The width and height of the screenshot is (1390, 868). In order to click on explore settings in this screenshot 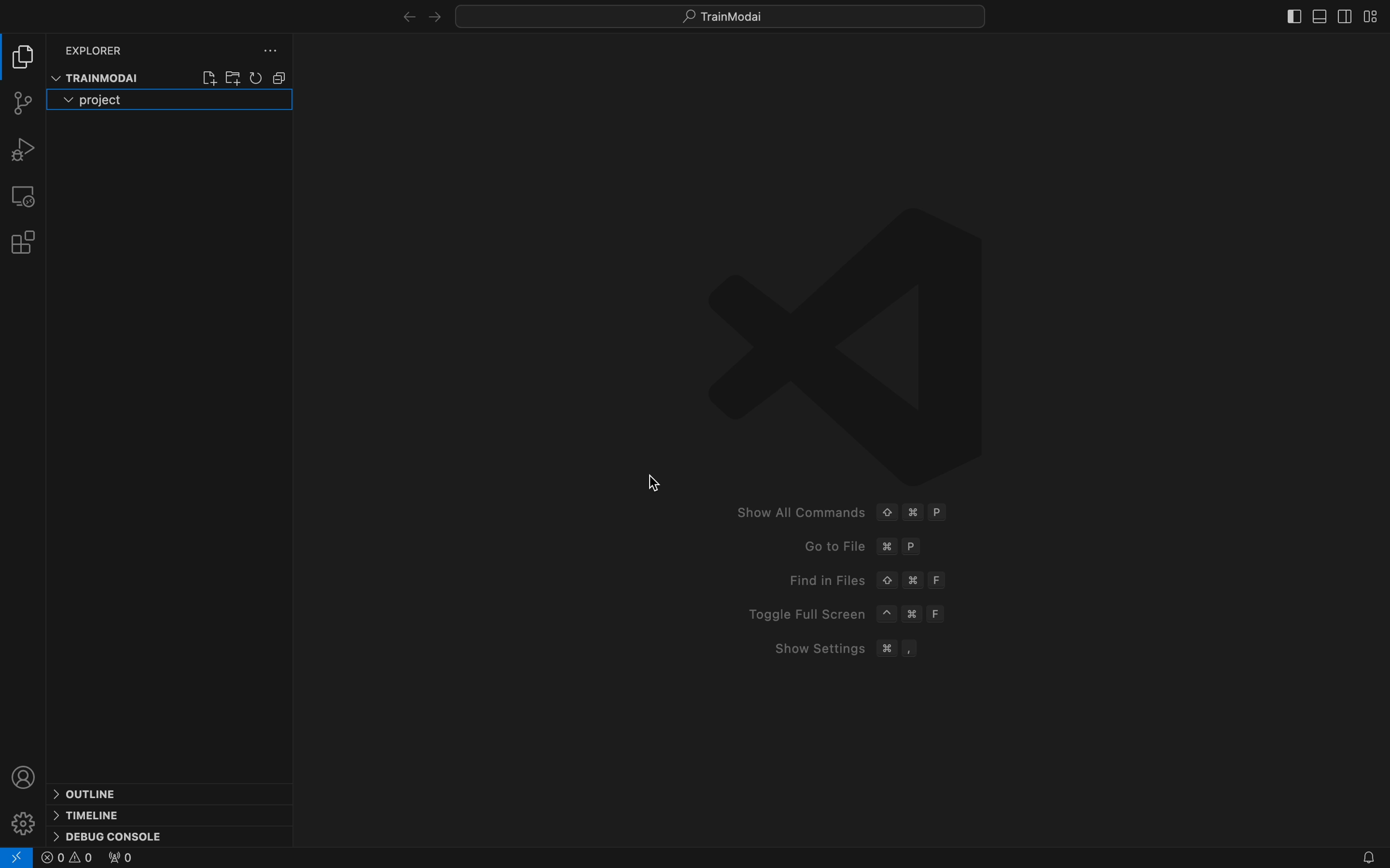, I will do `click(266, 52)`.